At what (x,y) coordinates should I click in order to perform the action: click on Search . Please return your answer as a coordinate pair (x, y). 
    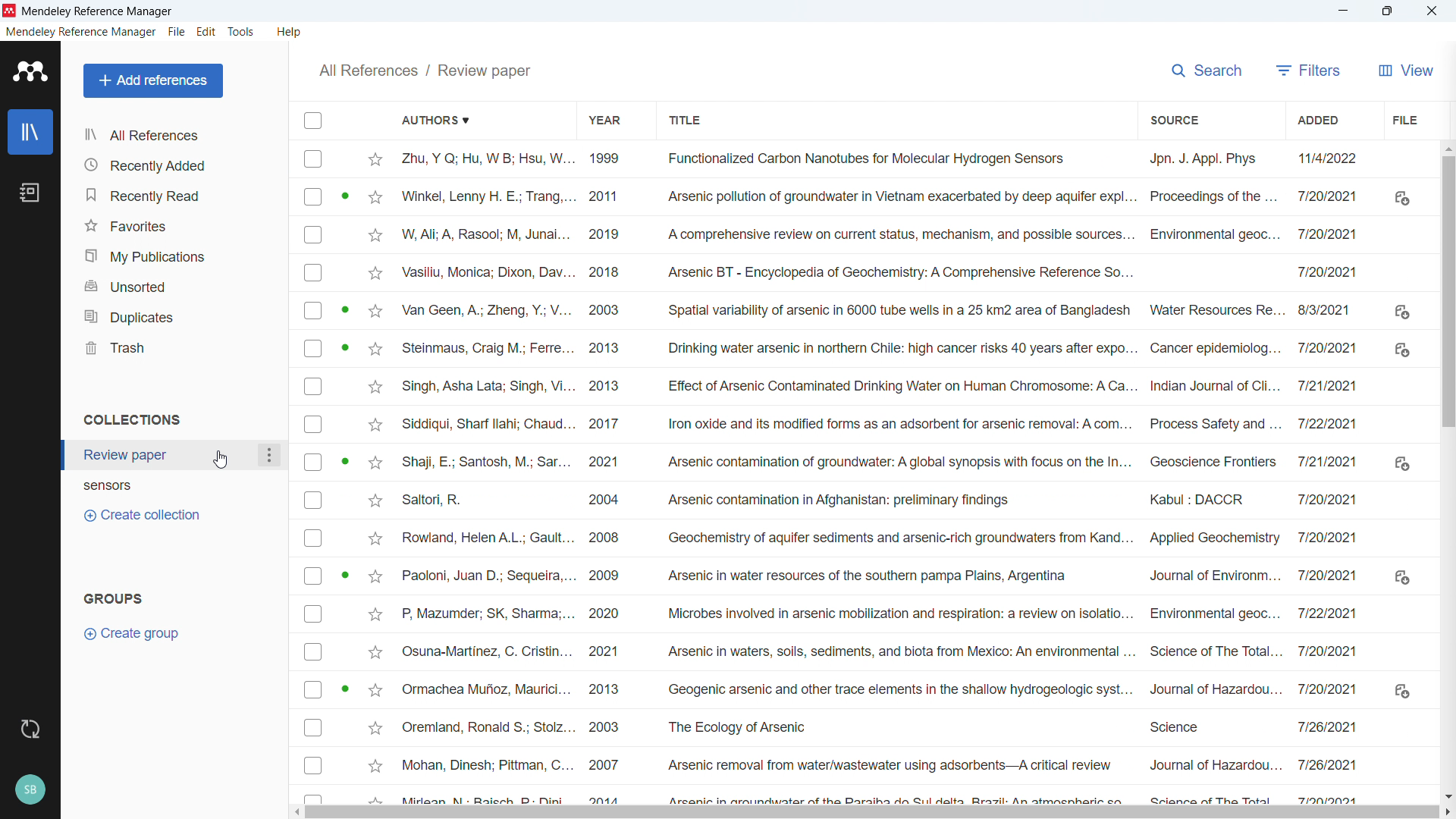
    Looking at the image, I should click on (1206, 71).